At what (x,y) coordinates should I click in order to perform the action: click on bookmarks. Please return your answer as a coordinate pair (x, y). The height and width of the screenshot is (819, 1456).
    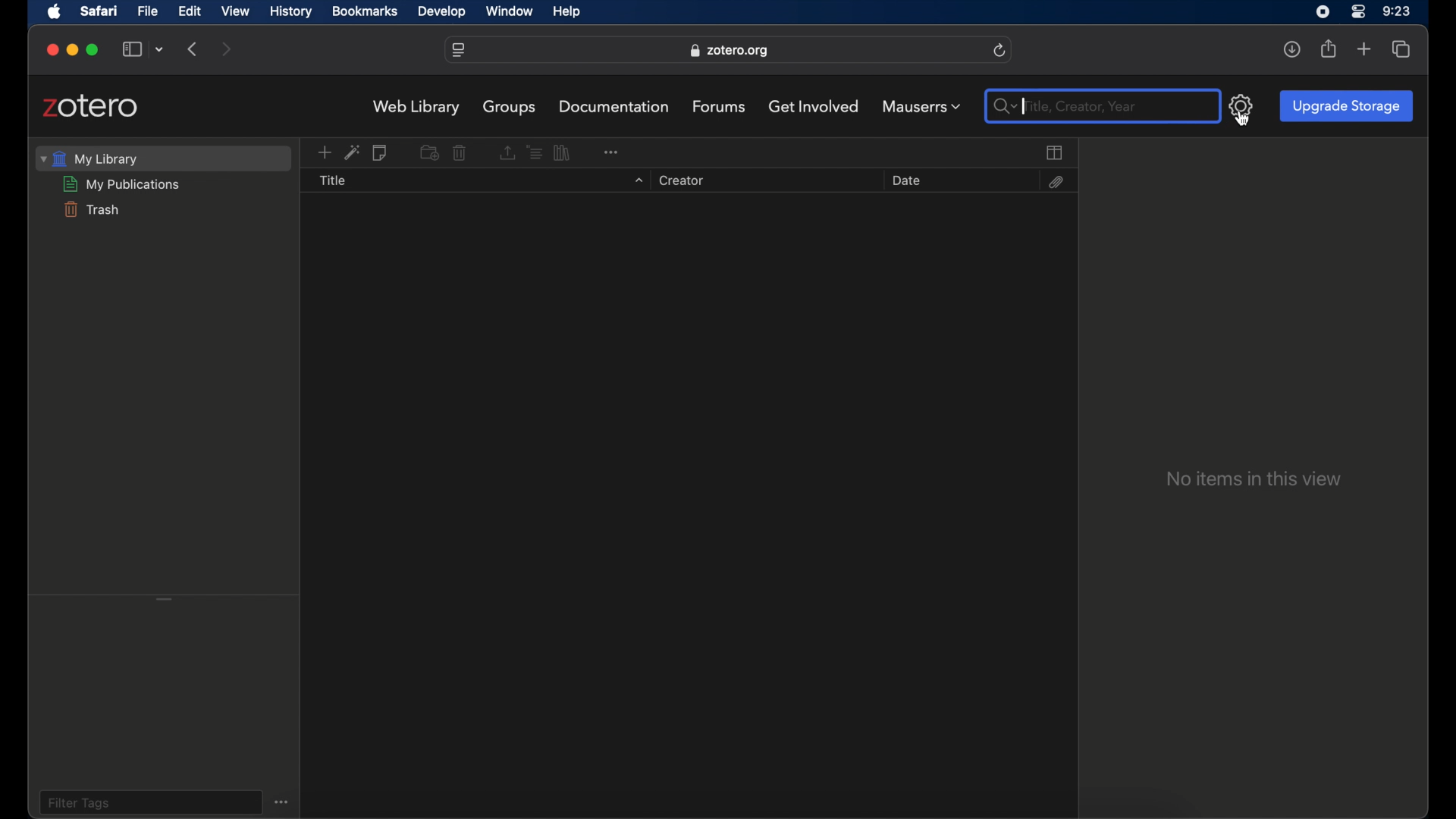
    Looking at the image, I should click on (365, 11).